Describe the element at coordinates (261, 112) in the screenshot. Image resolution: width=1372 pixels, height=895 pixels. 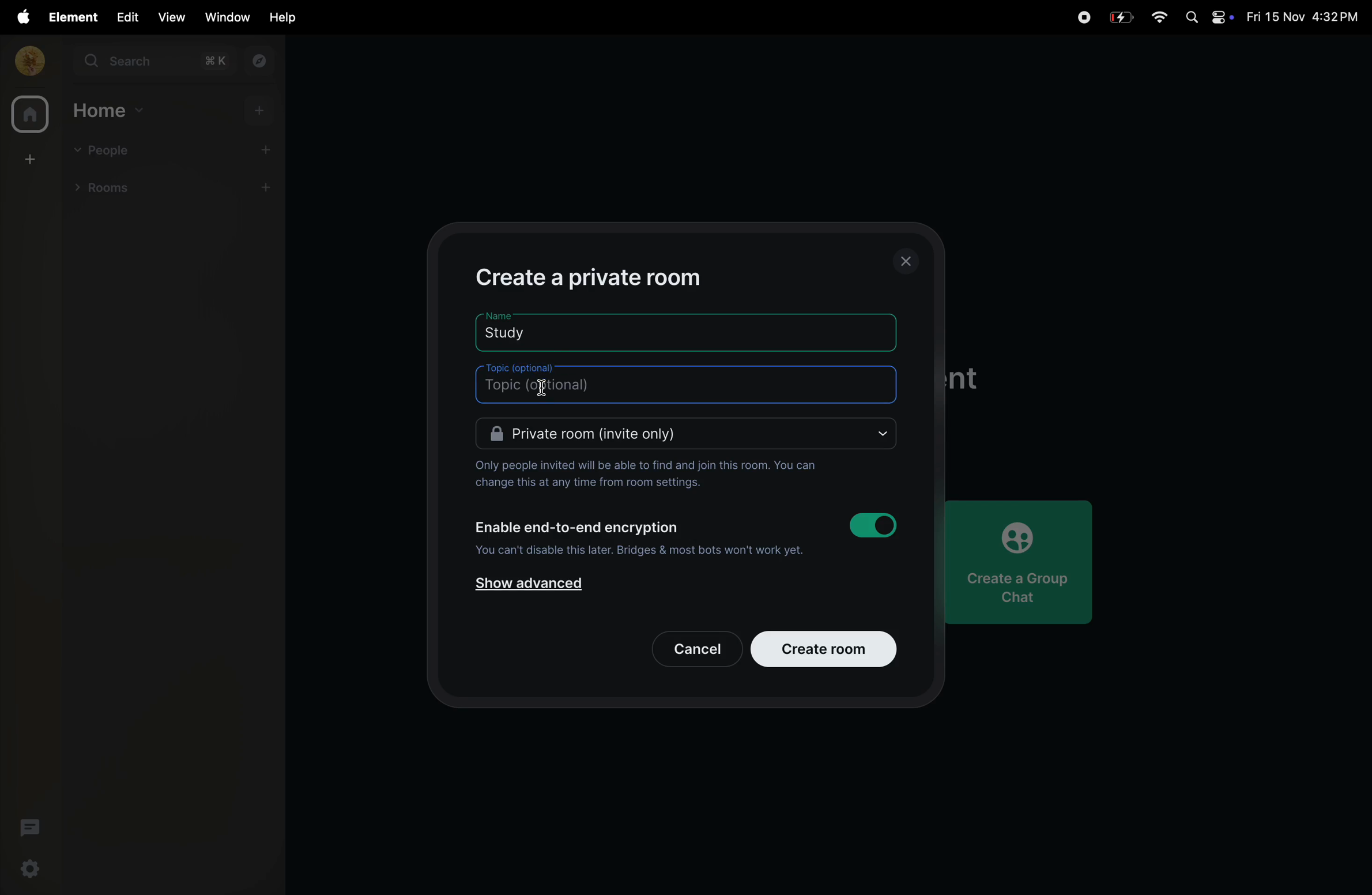
I see `add` at that location.